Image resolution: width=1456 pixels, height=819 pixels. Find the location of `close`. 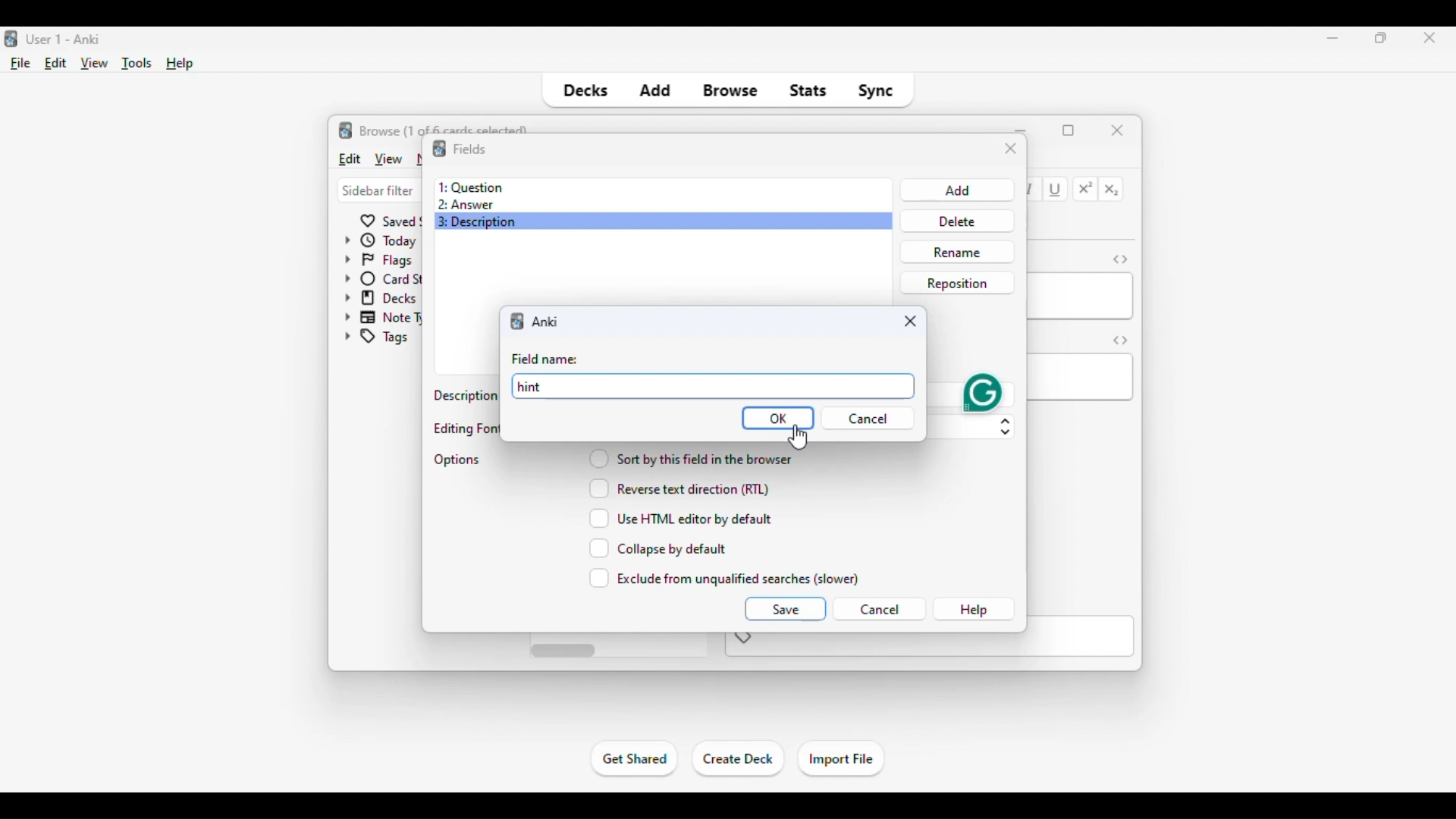

close is located at coordinates (1425, 39).